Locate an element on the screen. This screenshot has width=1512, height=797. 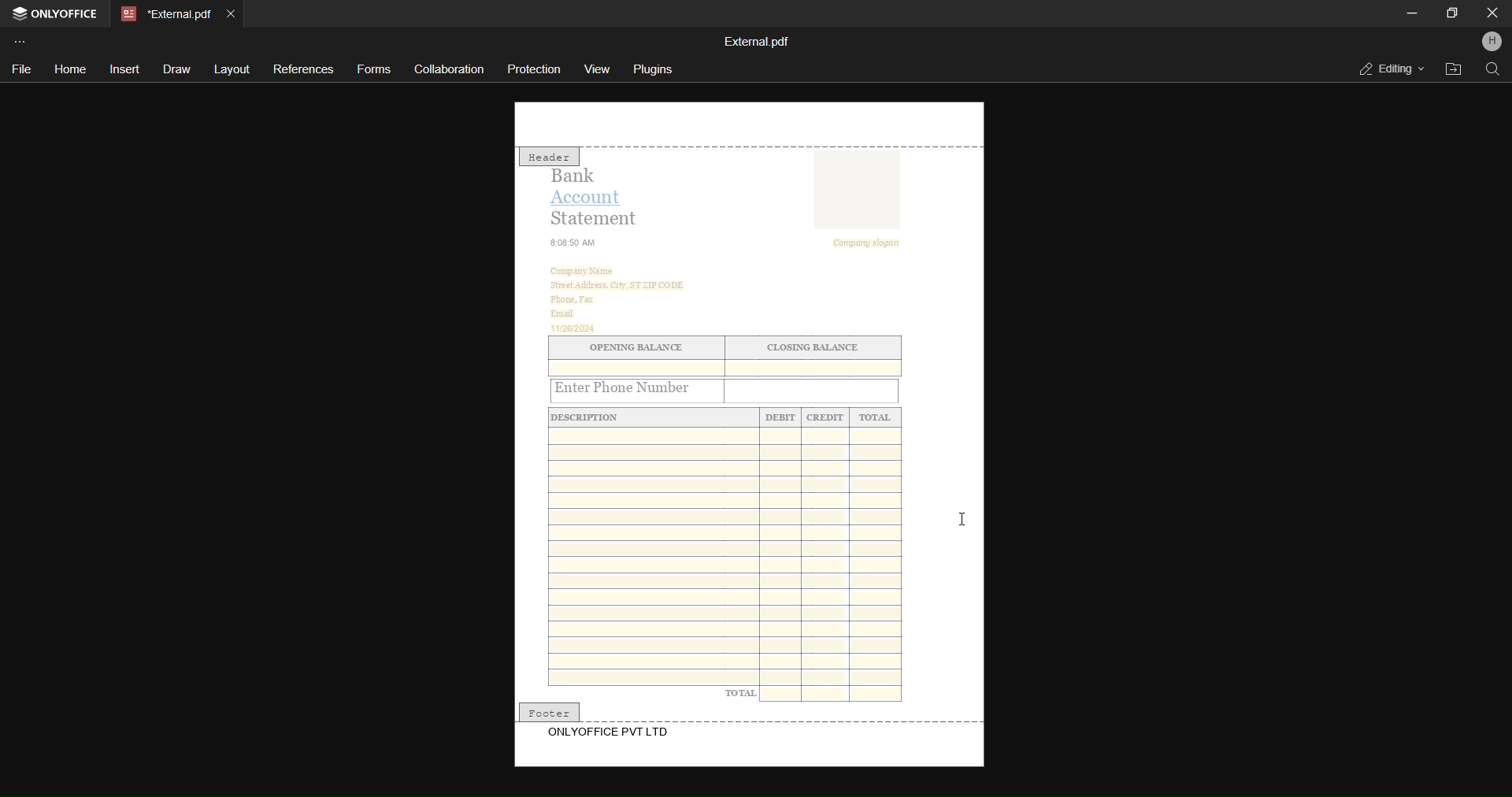
Statement is located at coordinates (597, 218).